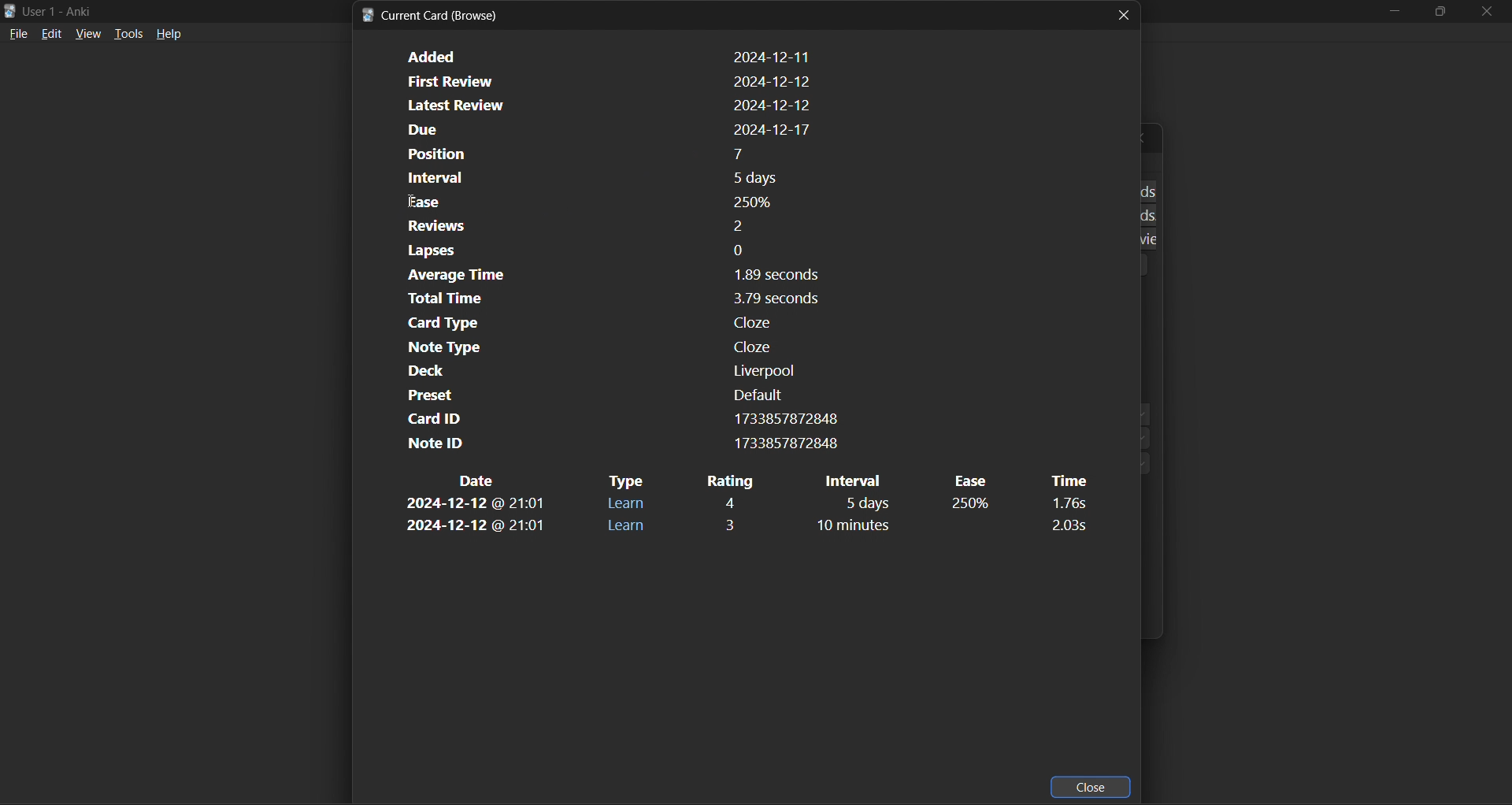  What do you see at coordinates (627, 526) in the screenshot?
I see `type` at bounding box center [627, 526].